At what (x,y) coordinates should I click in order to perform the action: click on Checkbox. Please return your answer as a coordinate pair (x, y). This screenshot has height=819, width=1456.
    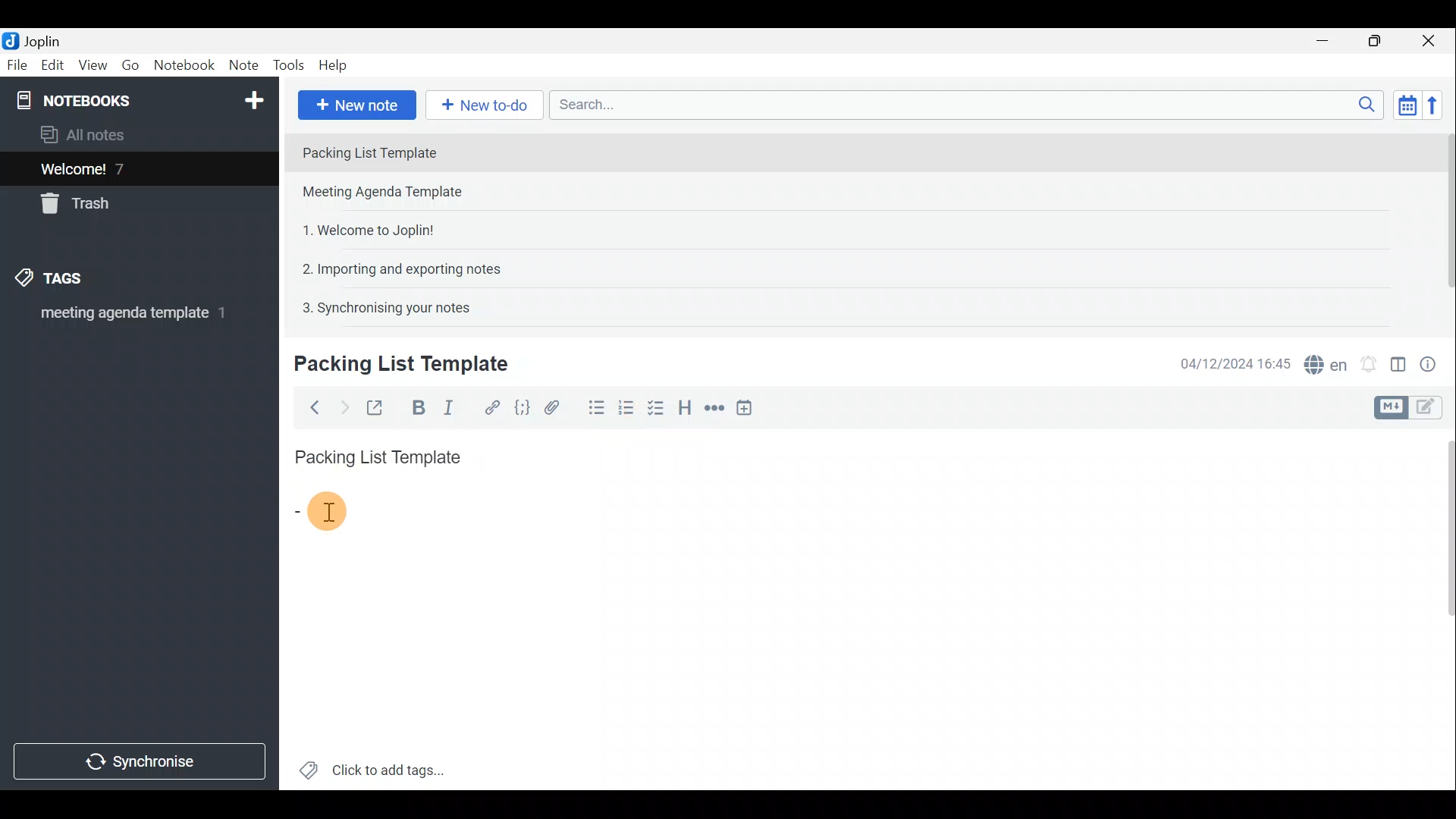
    Looking at the image, I should click on (661, 412).